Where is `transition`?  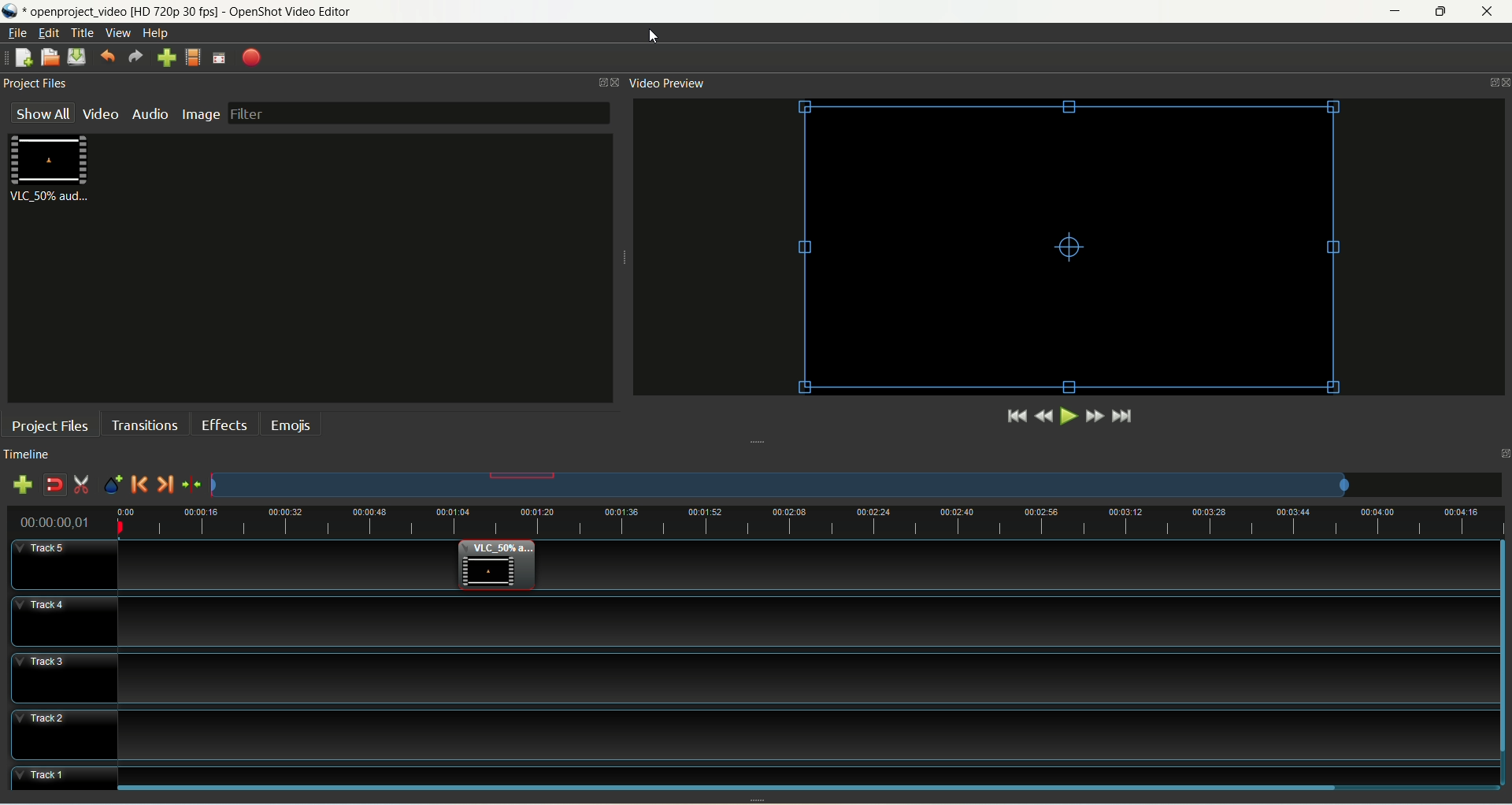 transition is located at coordinates (141, 424).